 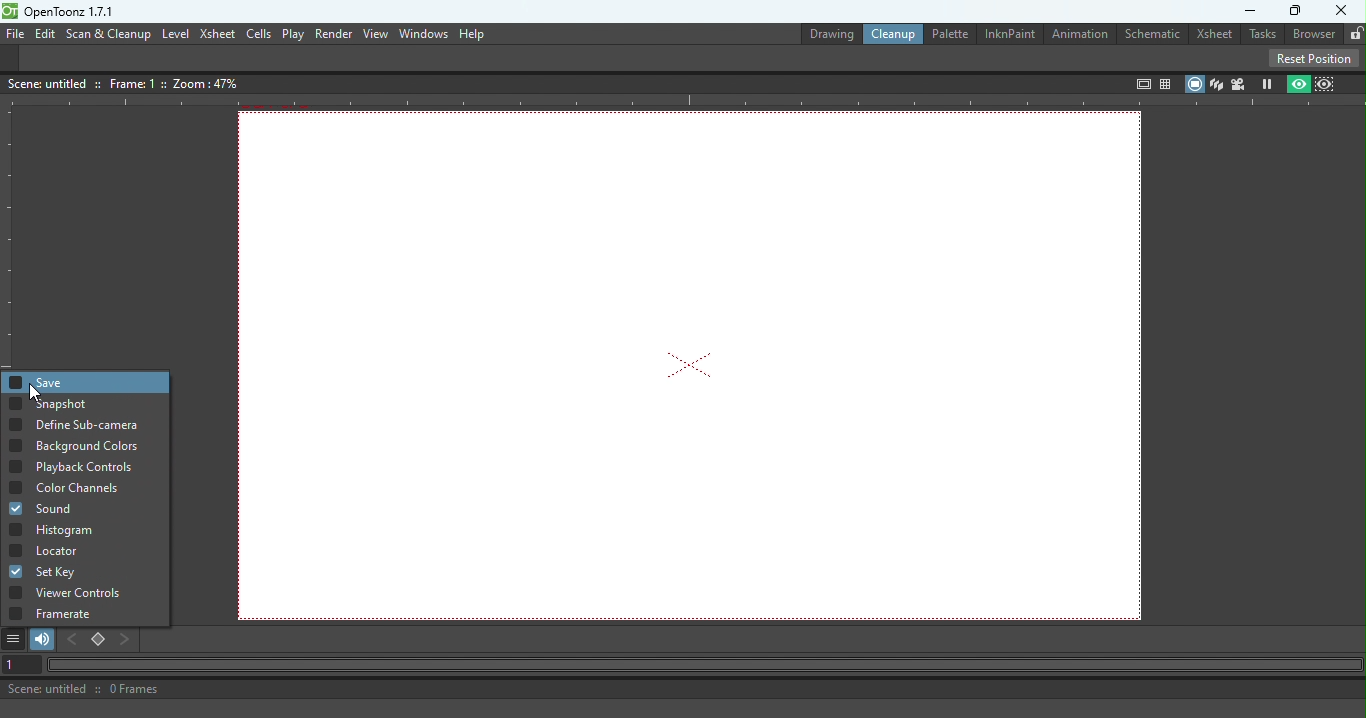 What do you see at coordinates (70, 571) in the screenshot?
I see `Set Key` at bounding box center [70, 571].